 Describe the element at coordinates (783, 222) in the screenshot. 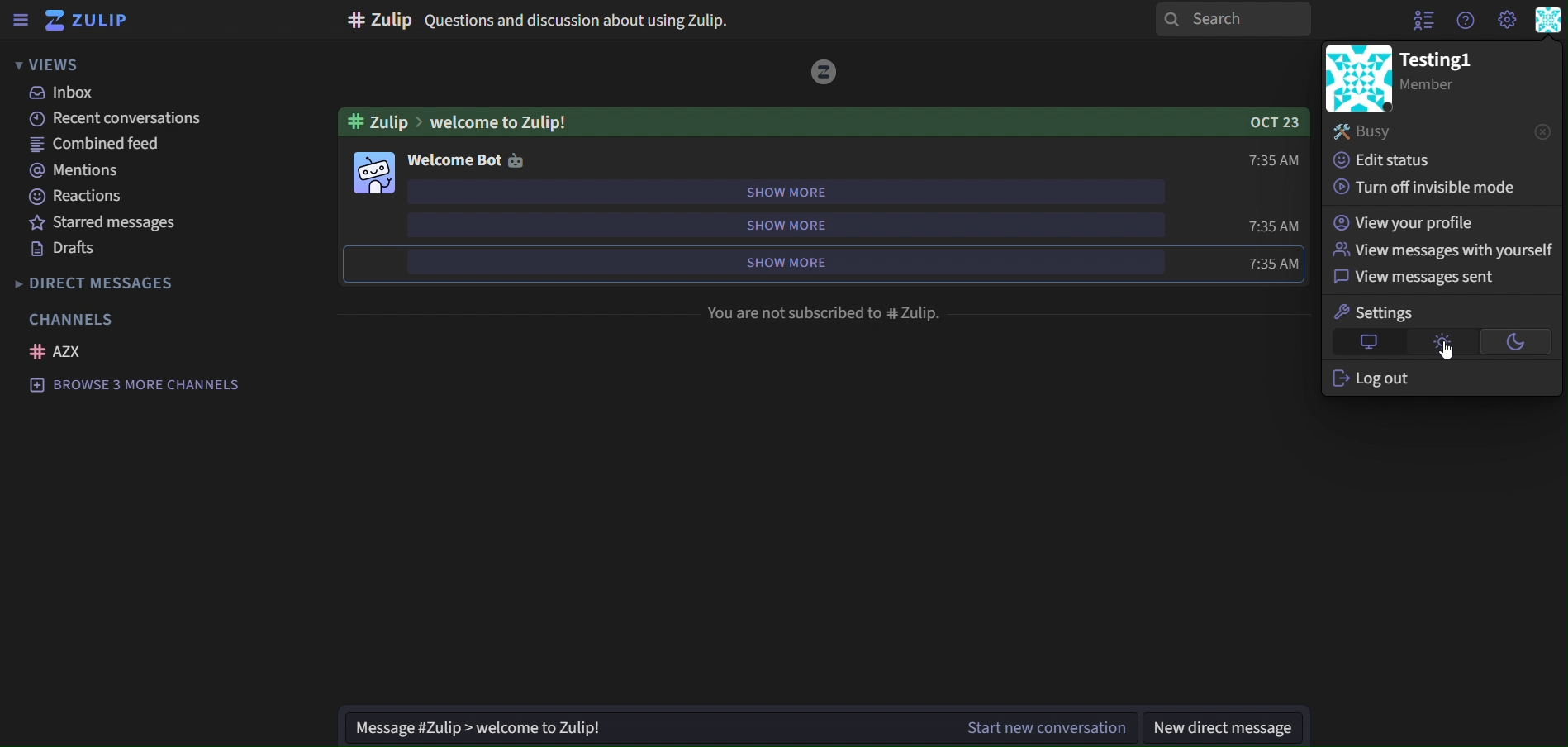

I see `show more` at that location.